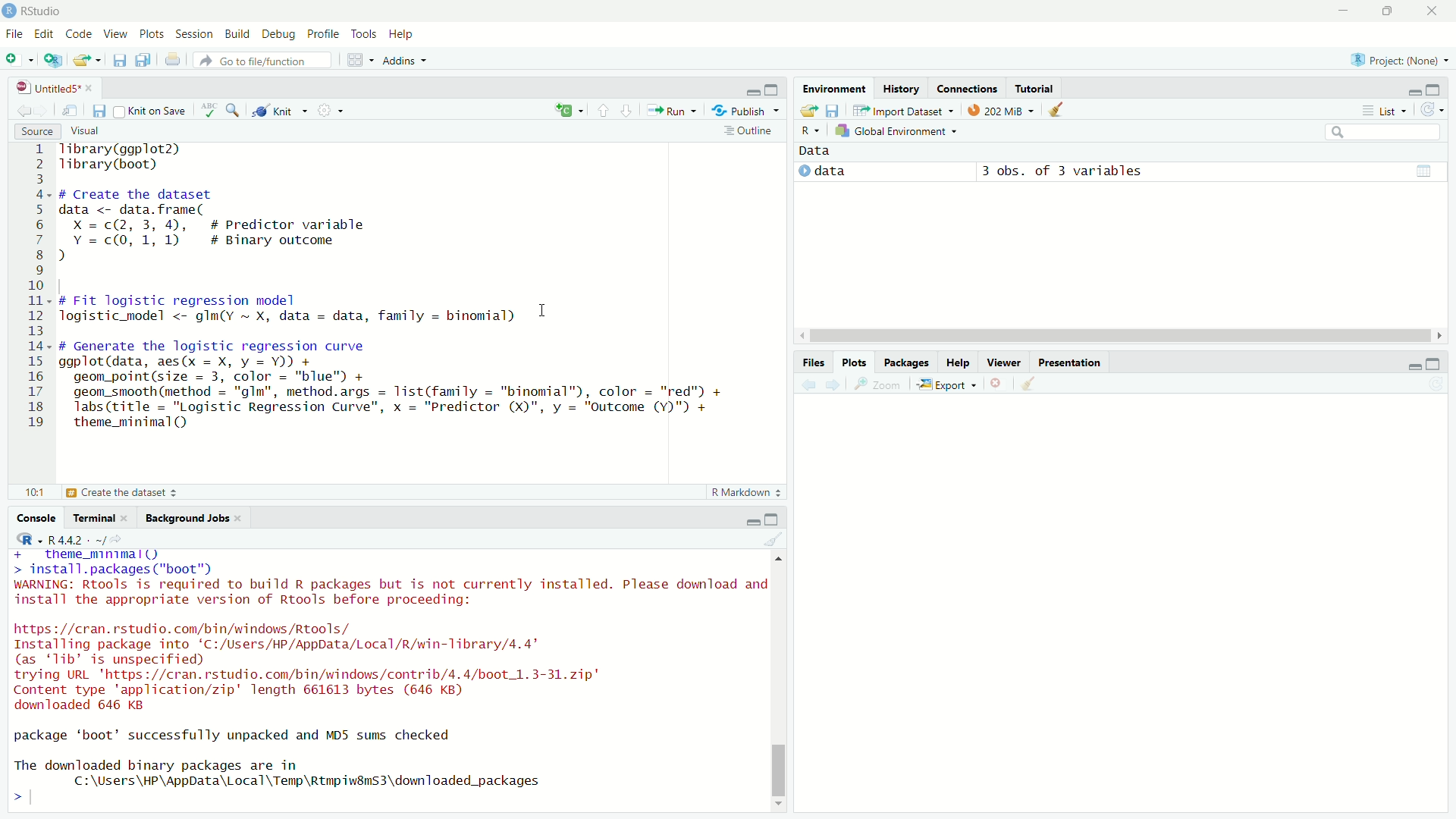  Describe the element at coordinates (772, 89) in the screenshot. I see `maximize` at that location.